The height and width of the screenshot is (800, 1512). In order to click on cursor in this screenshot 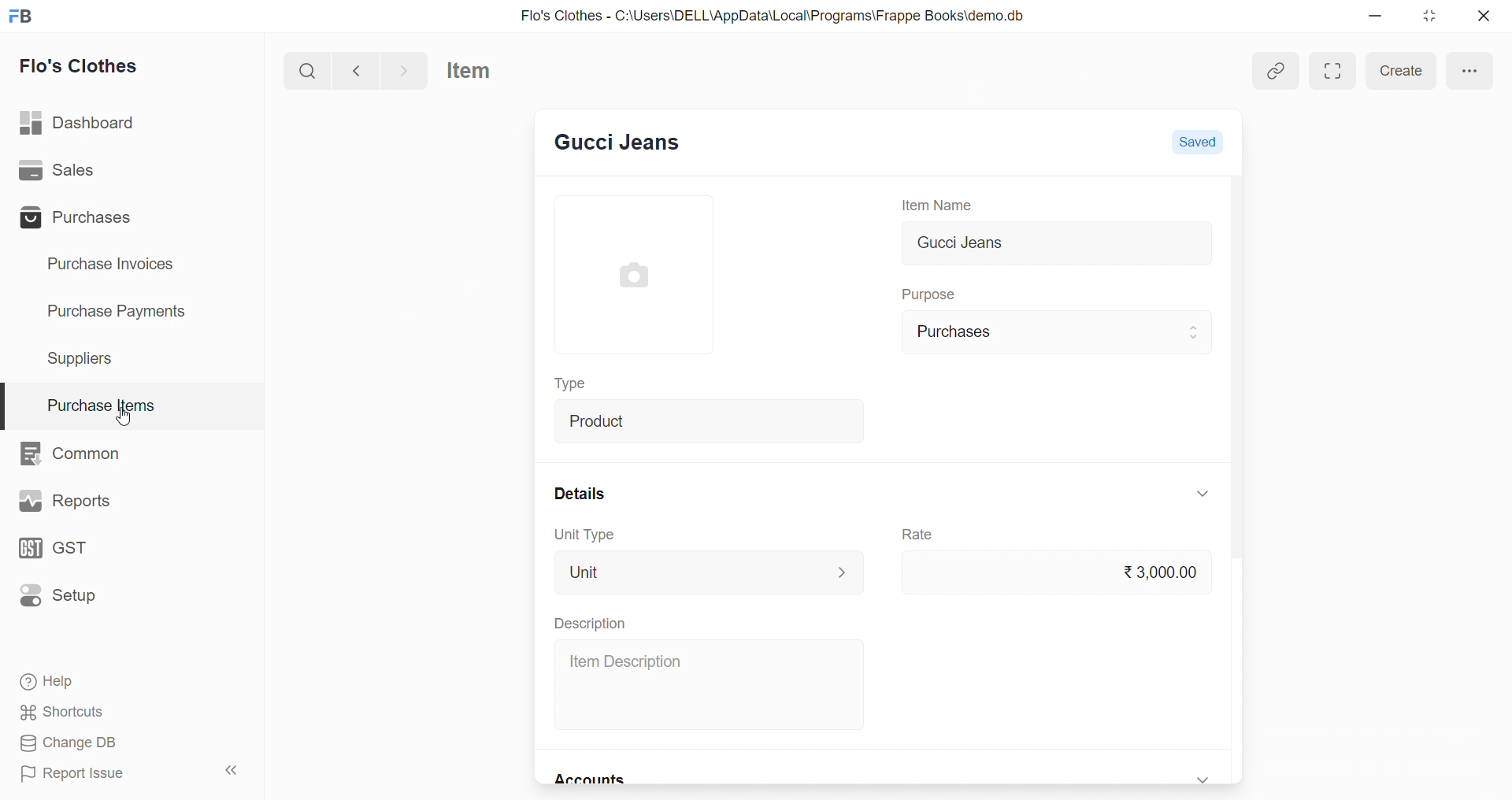, I will do `click(129, 415)`.